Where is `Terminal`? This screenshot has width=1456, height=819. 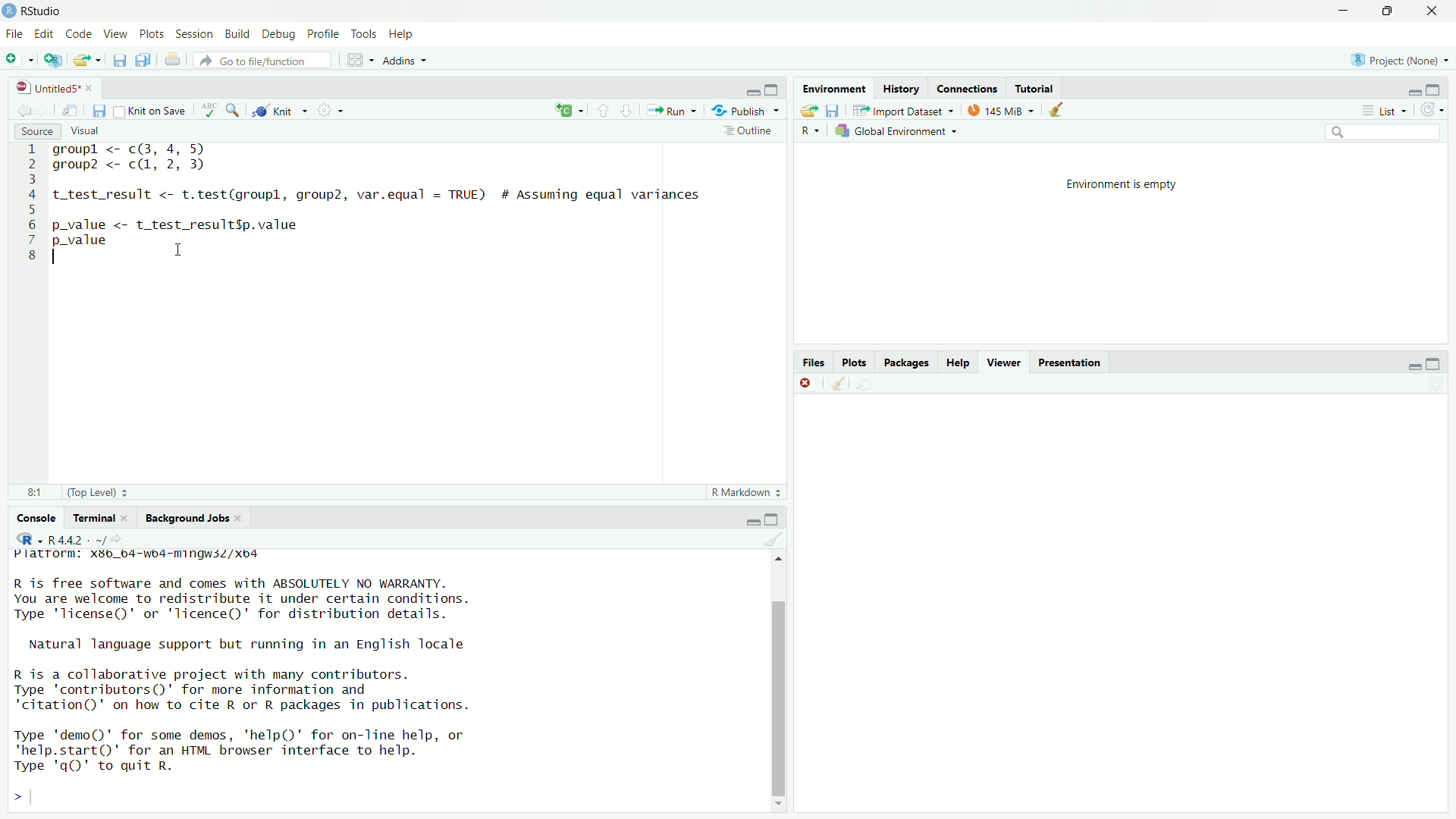 Terminal is located at coordinates (98, 517).